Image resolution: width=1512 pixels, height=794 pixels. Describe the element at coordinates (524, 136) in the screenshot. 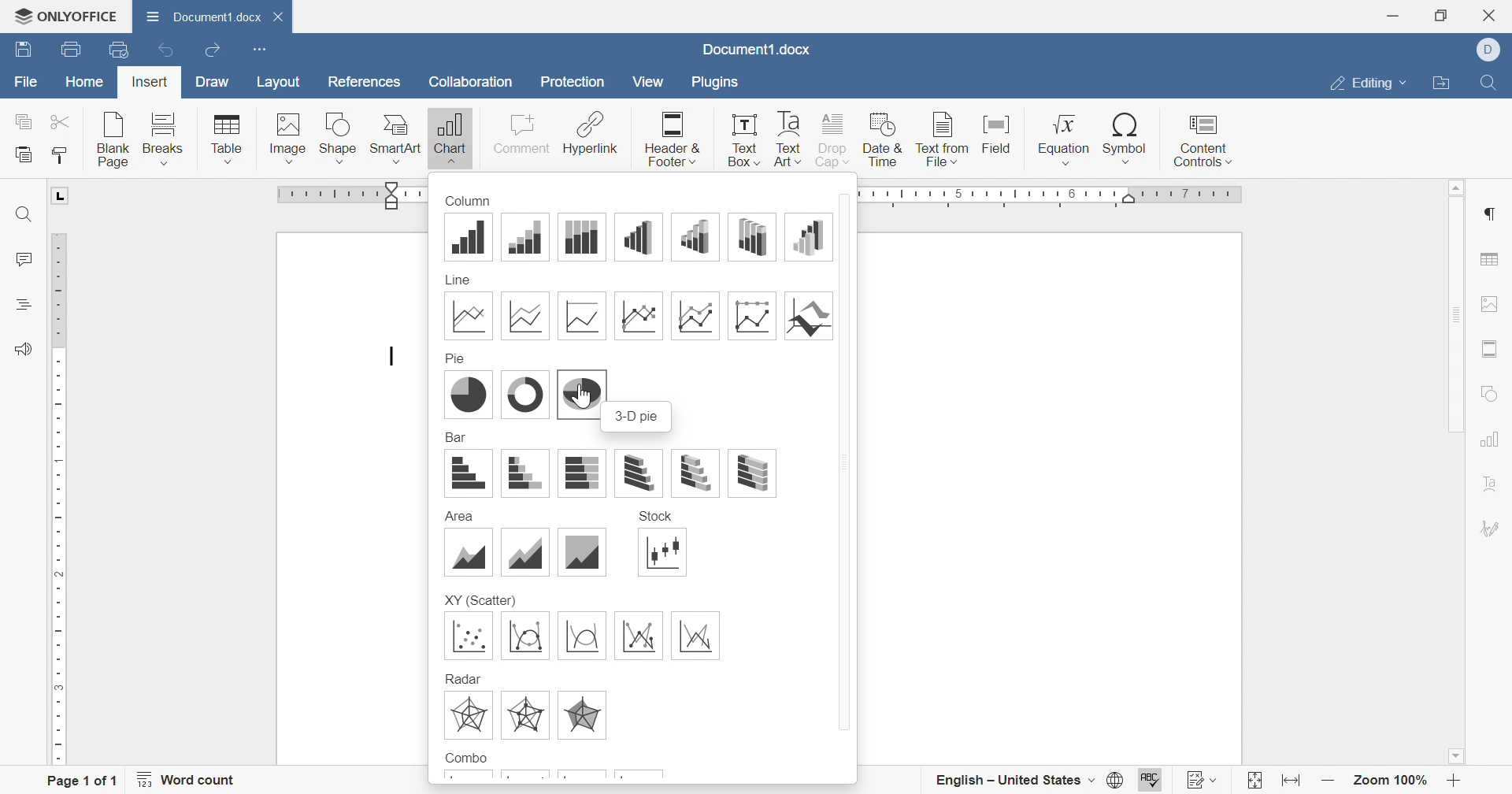

I see `` at that location.